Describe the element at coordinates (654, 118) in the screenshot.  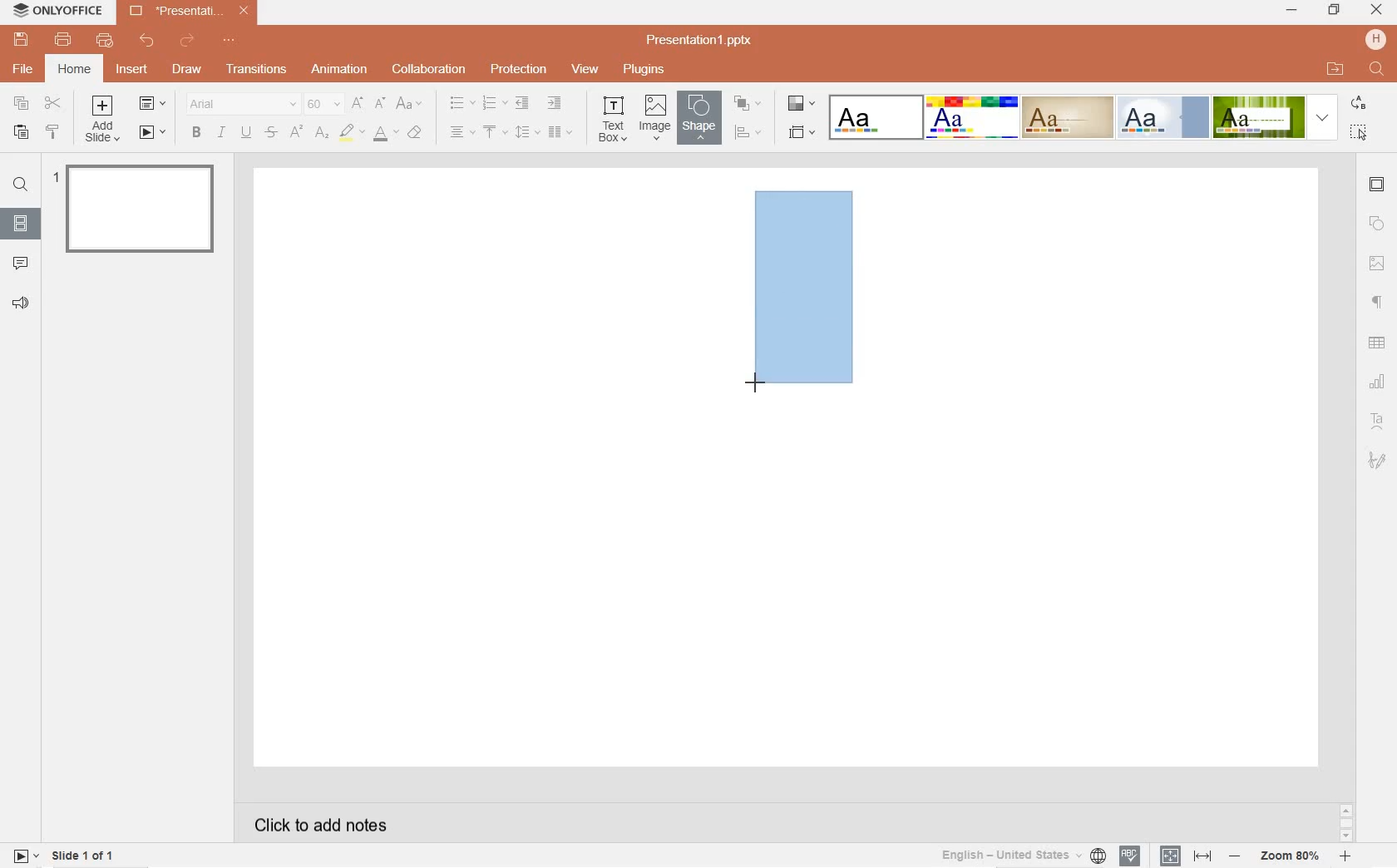
I see `image` at that location.